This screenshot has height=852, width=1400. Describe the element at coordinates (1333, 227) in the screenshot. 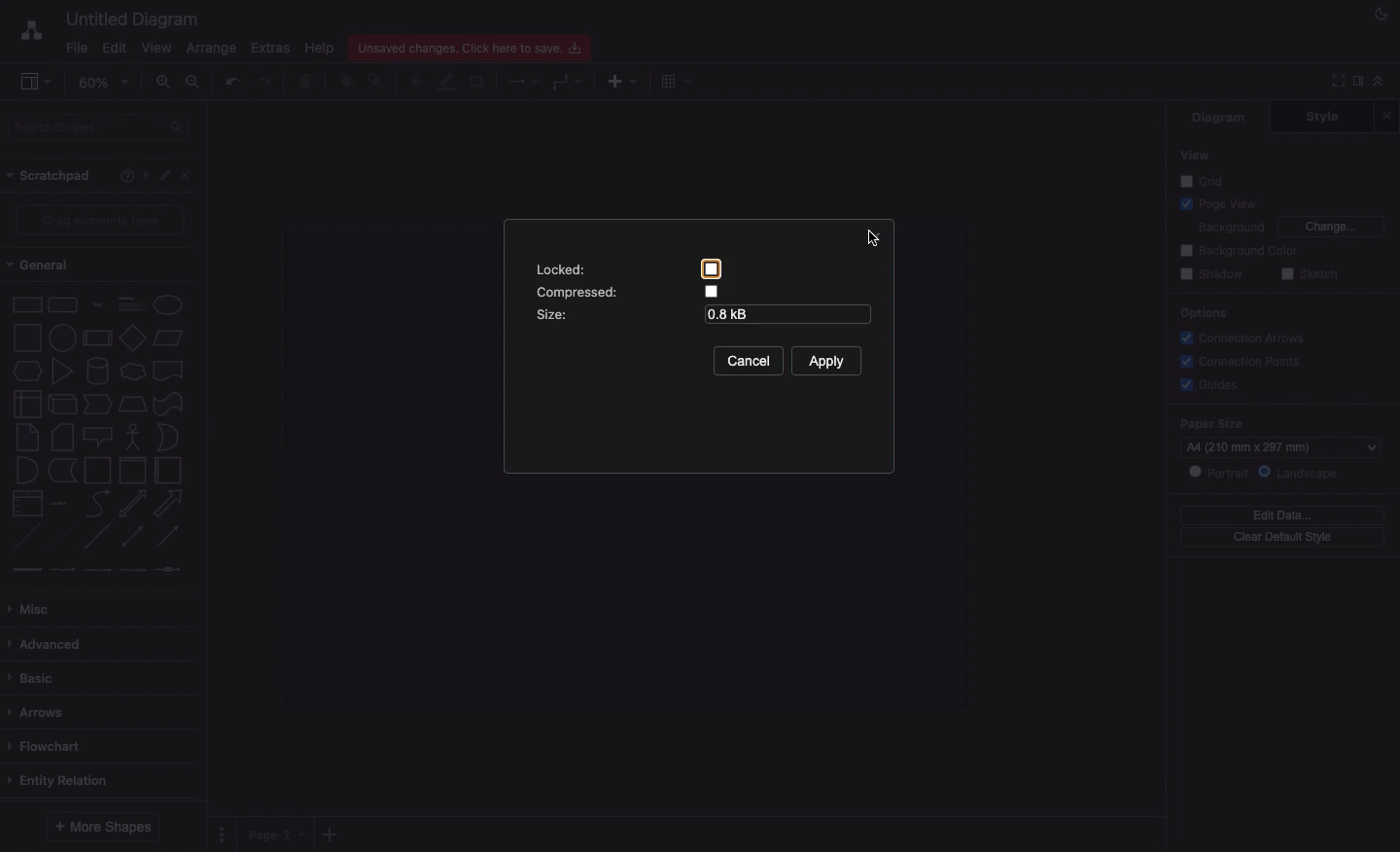

I see `Change` at that location.